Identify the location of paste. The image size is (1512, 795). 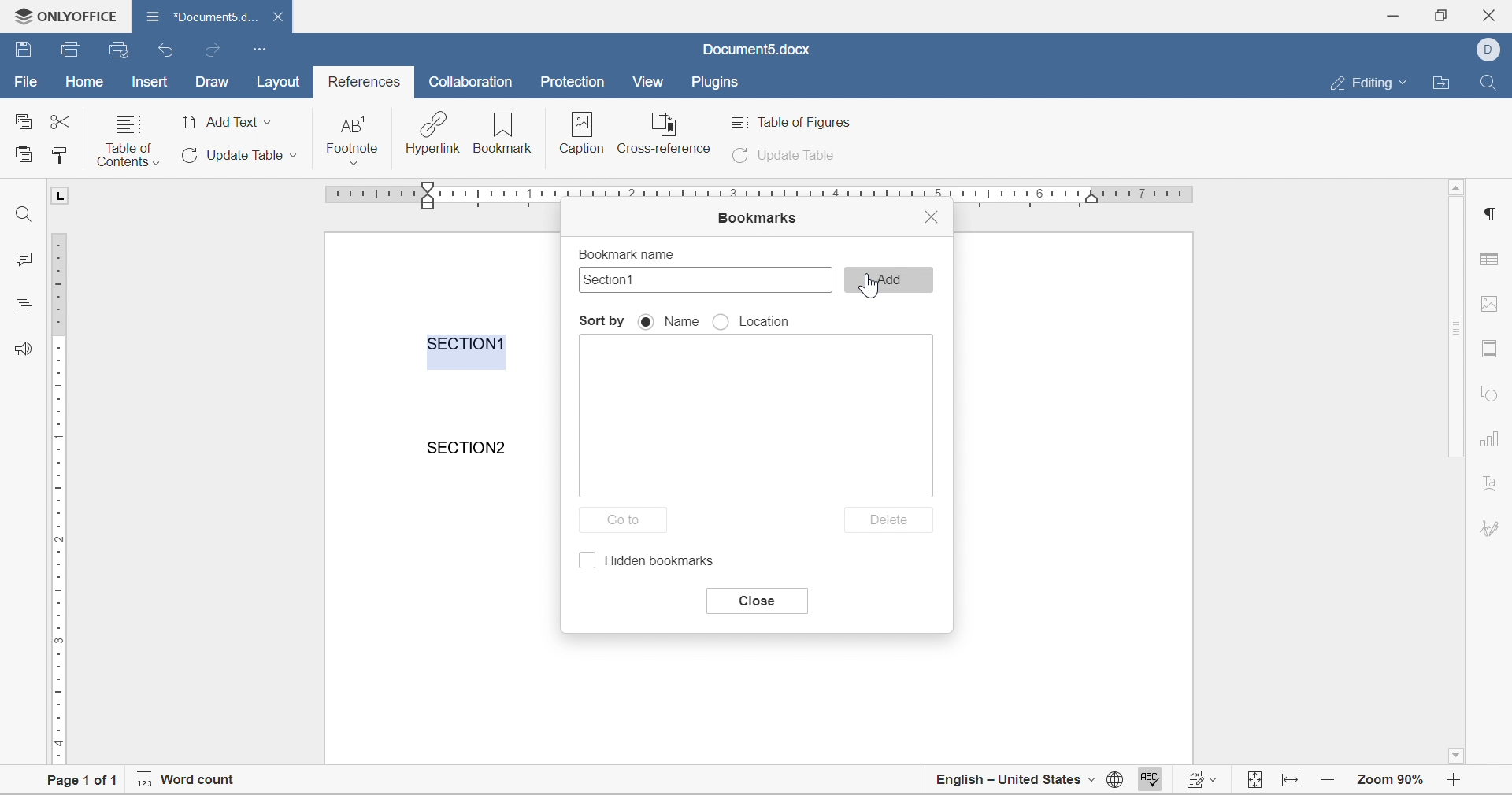
(24, 153).